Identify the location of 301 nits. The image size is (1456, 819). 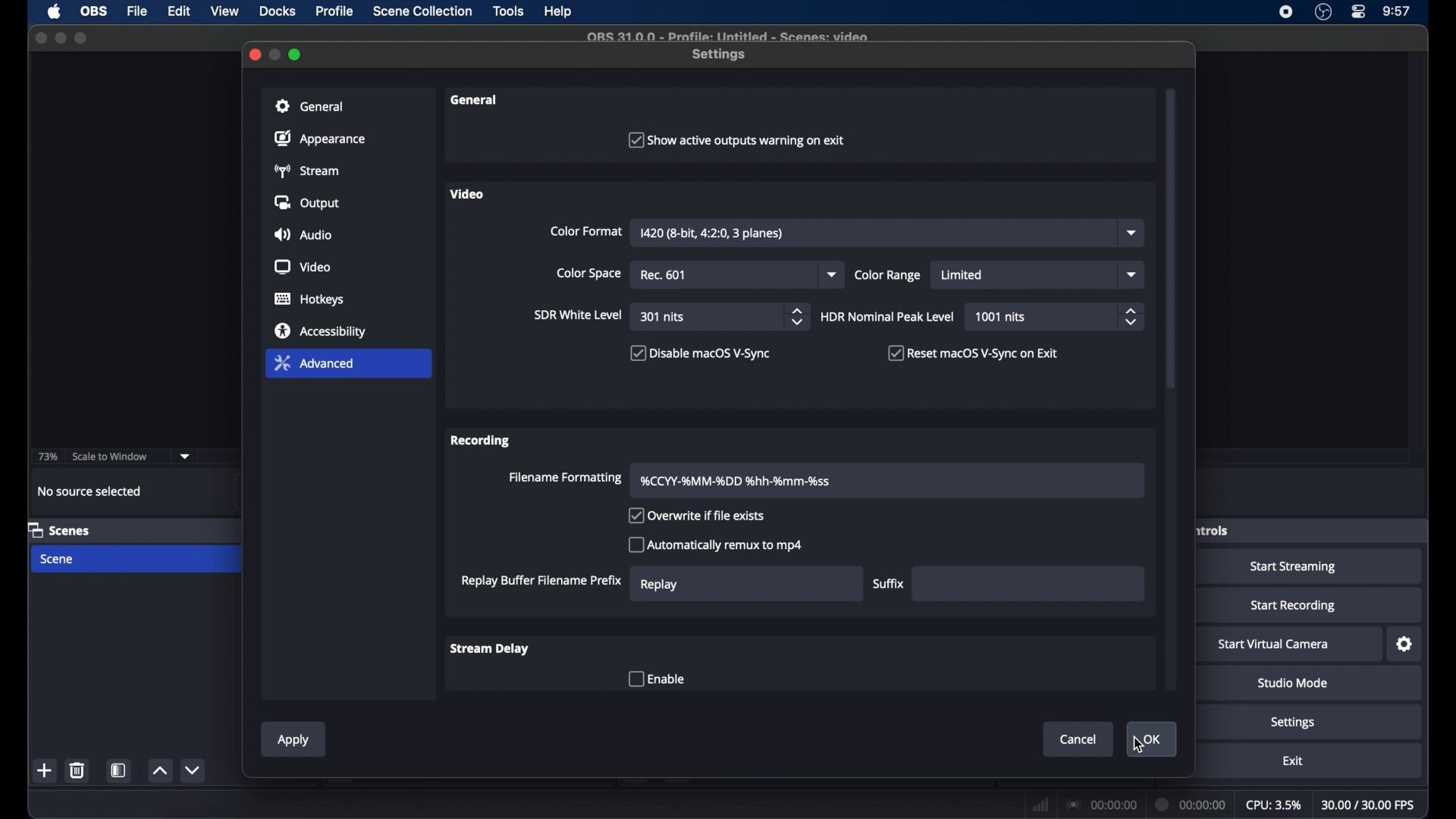
(664, 317).